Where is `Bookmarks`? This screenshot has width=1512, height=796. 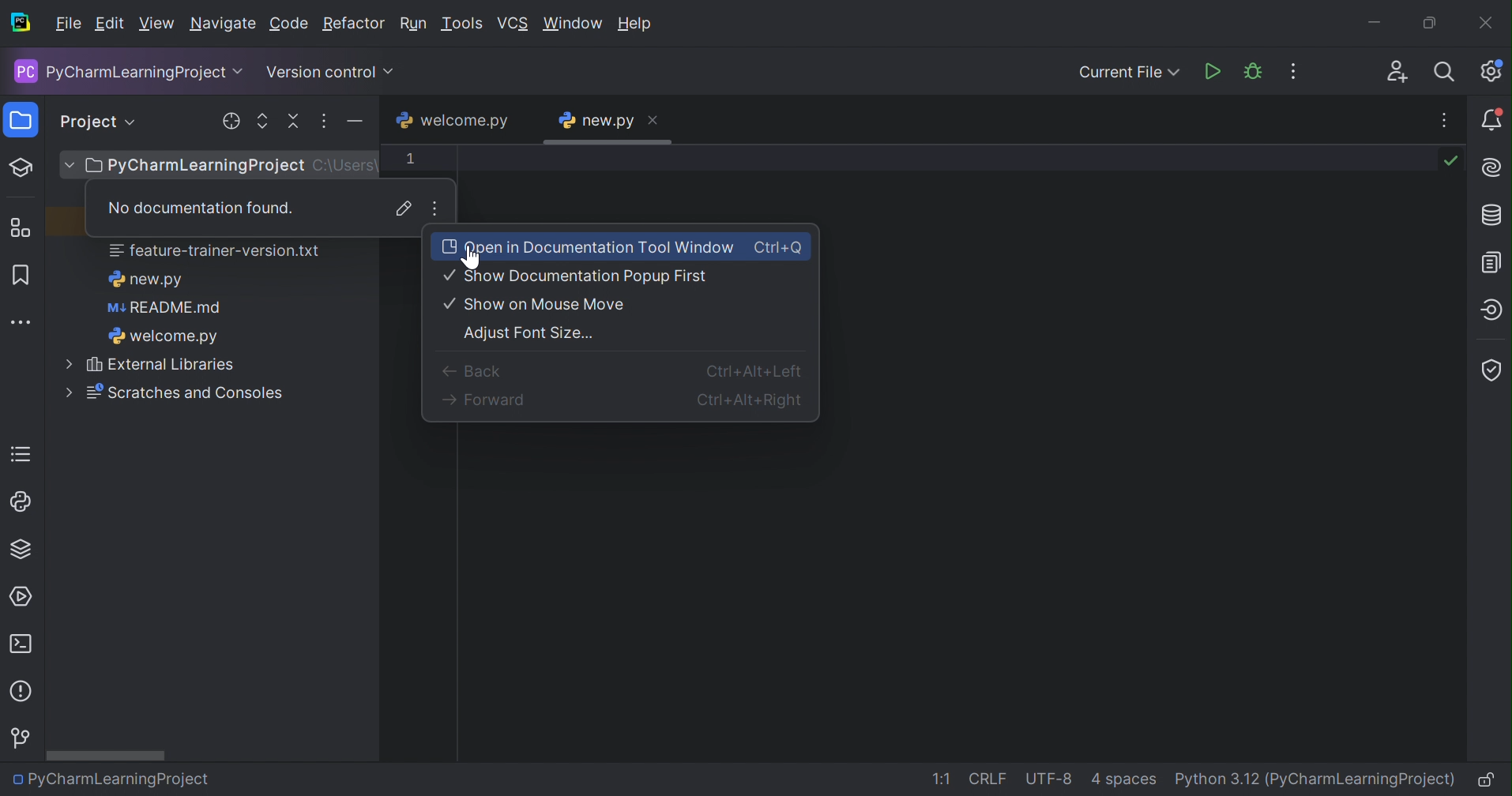 Bookmarks is located at coordinates (18, 273).